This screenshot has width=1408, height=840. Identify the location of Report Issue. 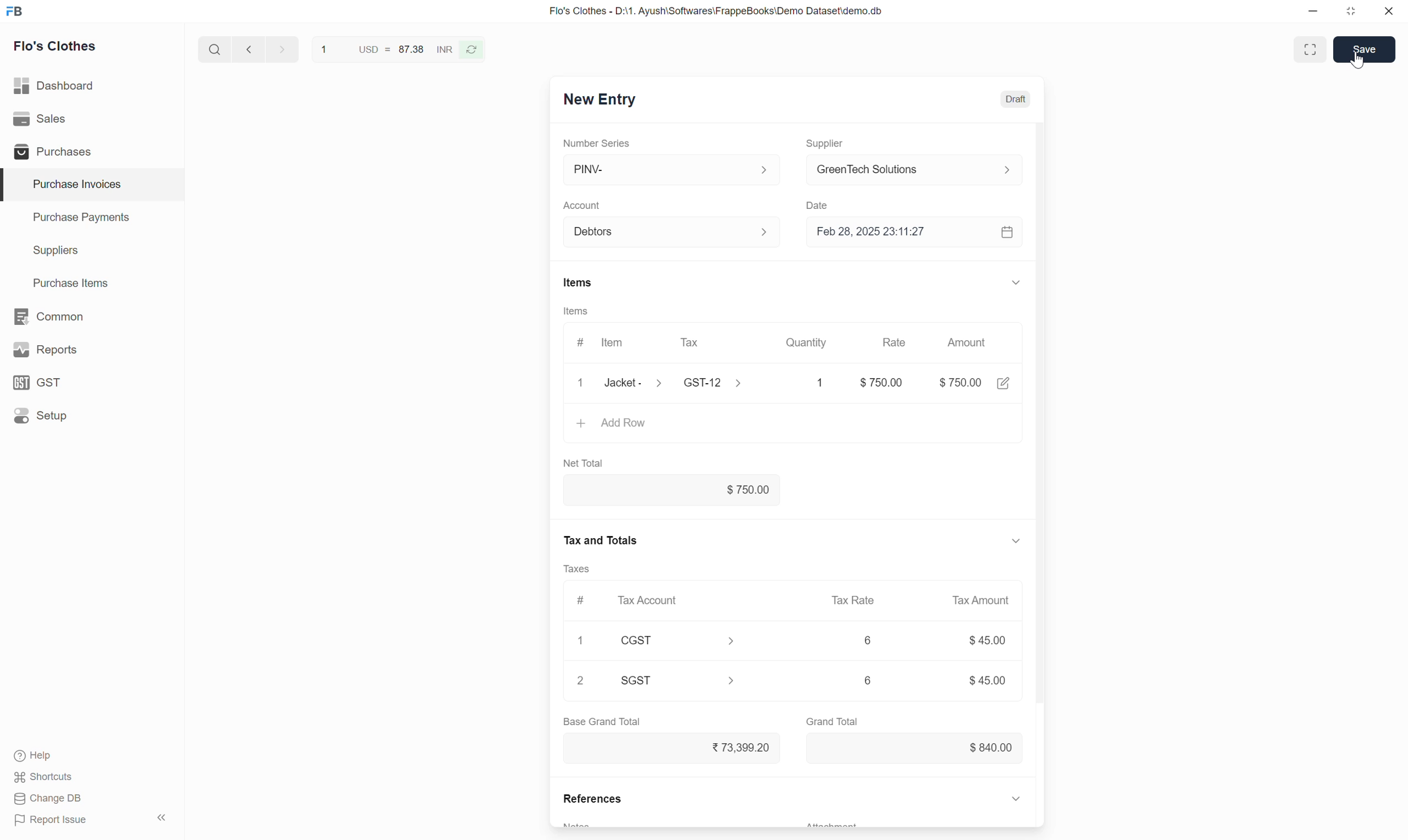
(51, 820).